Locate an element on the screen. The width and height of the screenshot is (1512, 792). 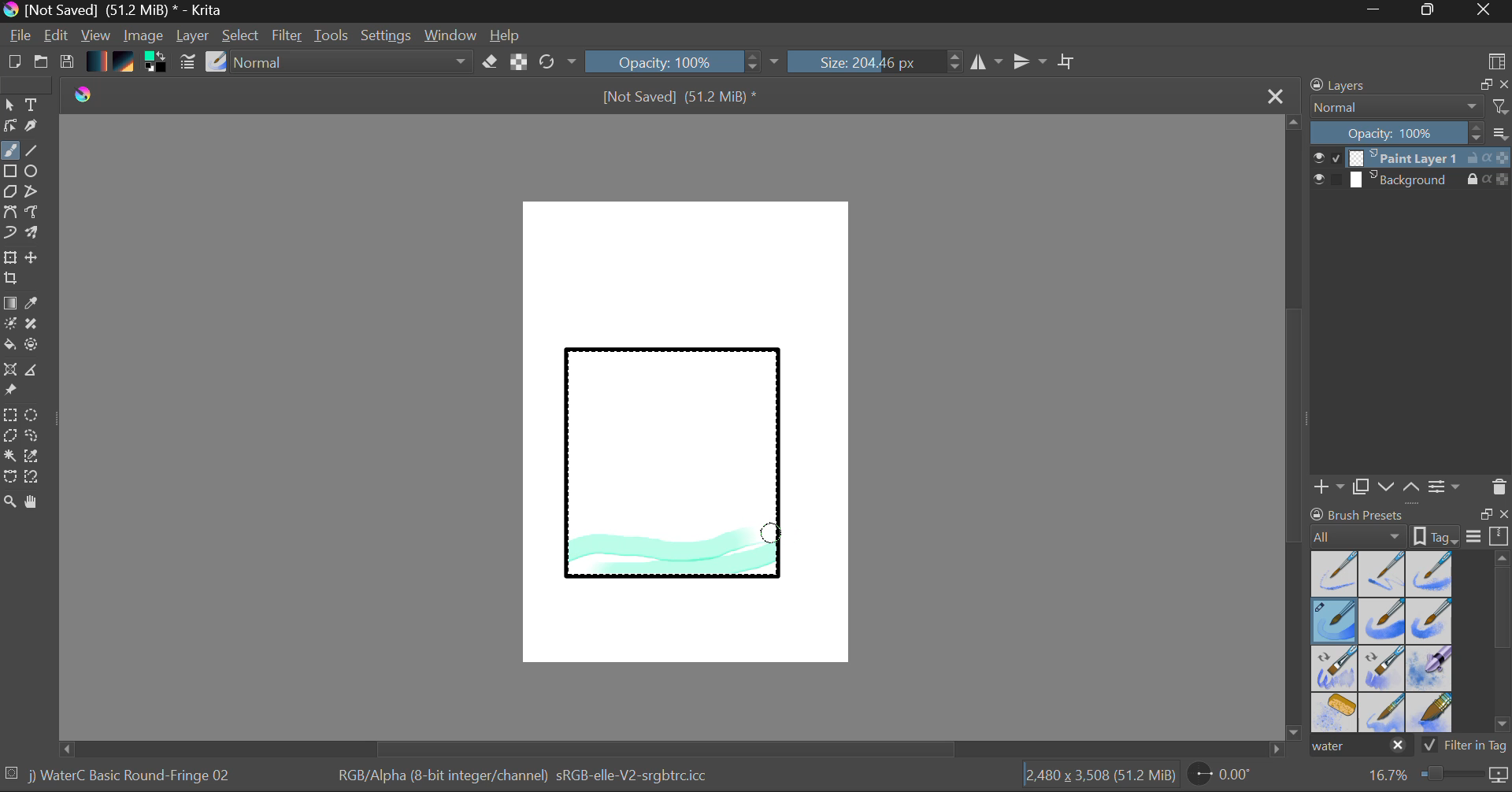
Smart Patch Tool is located at coordinates (37, 327).